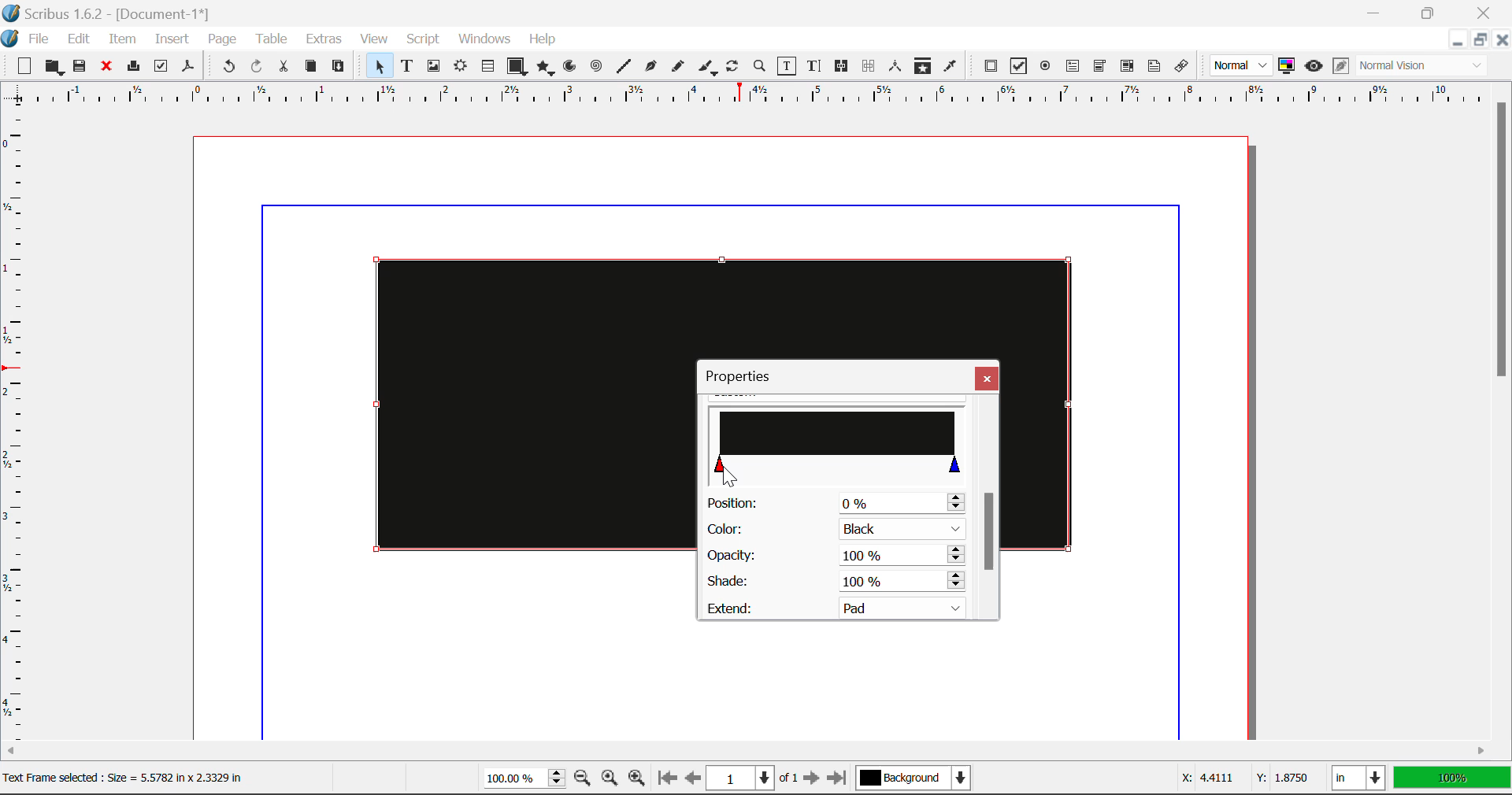  I want to click on Close, so click(1501, 39).